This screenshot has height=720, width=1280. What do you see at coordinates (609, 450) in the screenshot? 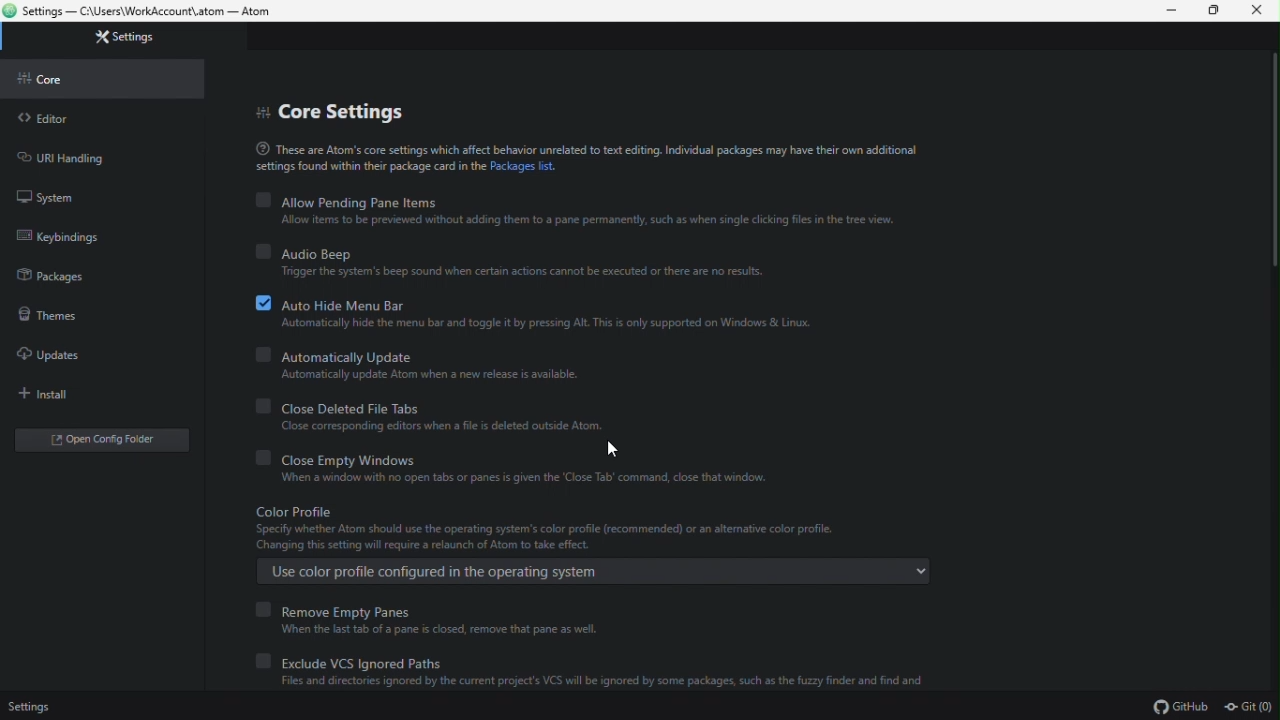
I see `cursor` at bounding box center [609, 450].